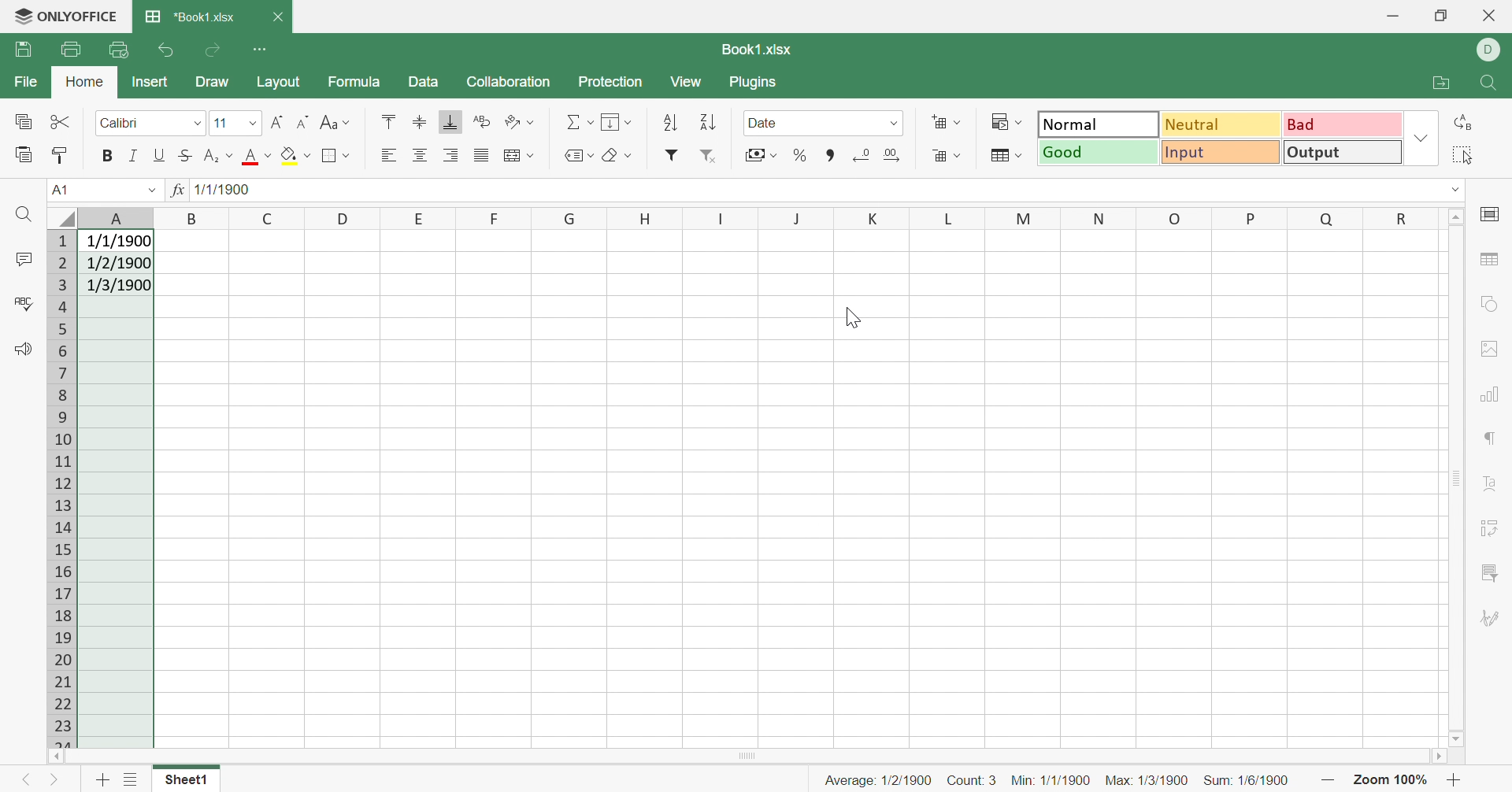  What do you see at coordinates (1494, 621) in the screenshot?
I see `Signature settings` at bounding box center [1494, 621].